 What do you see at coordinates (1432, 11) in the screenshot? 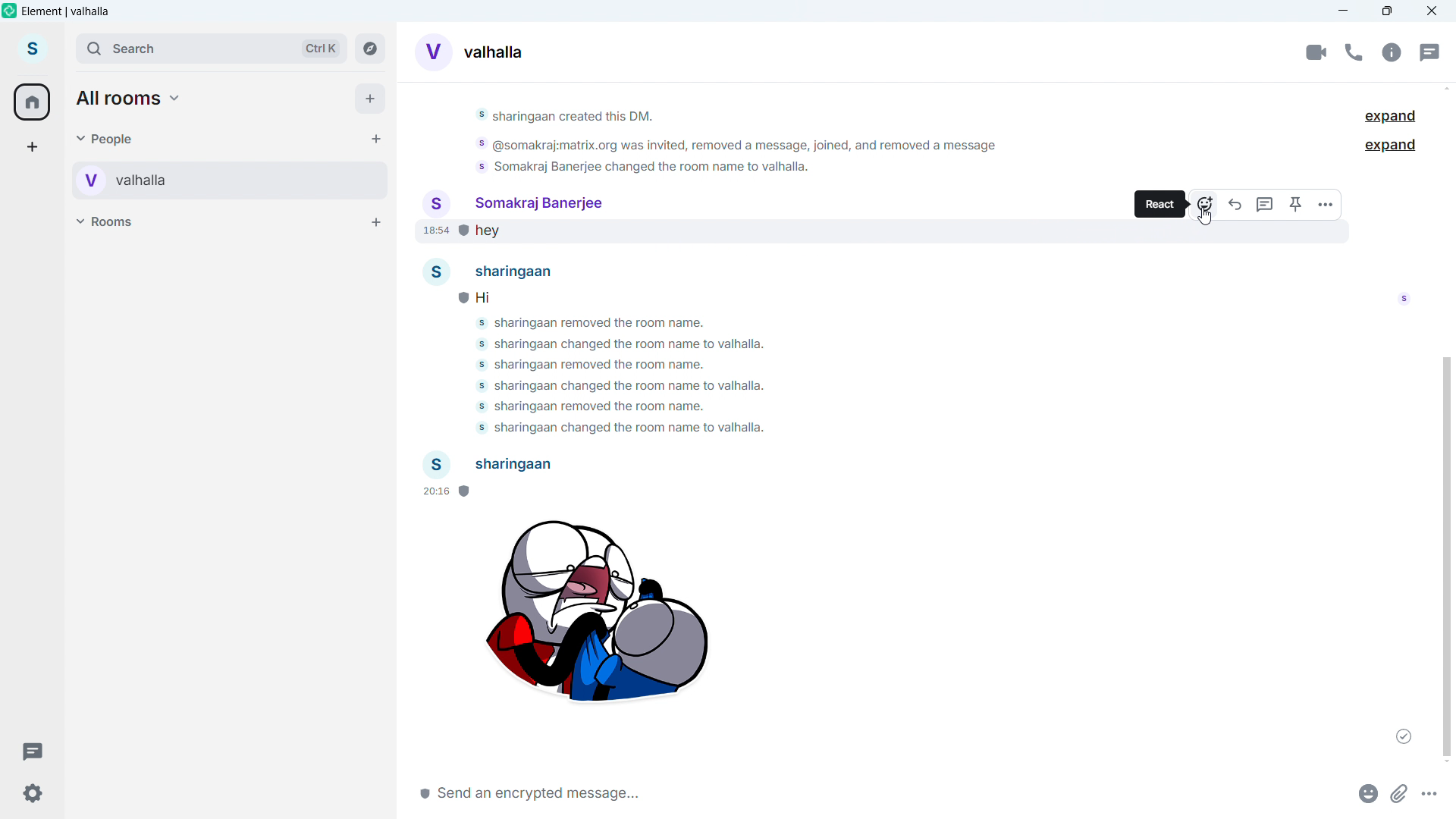
I see `Close ` at bounding box center [1432, 11].